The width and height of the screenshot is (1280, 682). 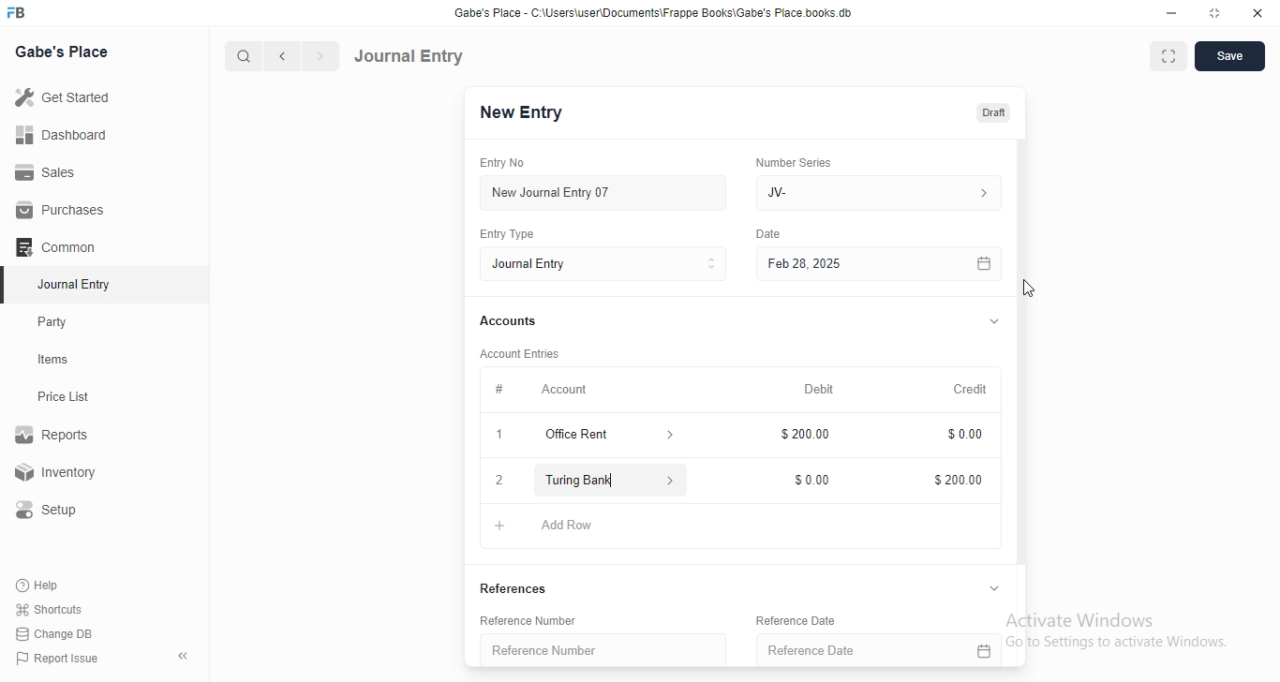 I want to click on Credit, so click(x=969, y=387).